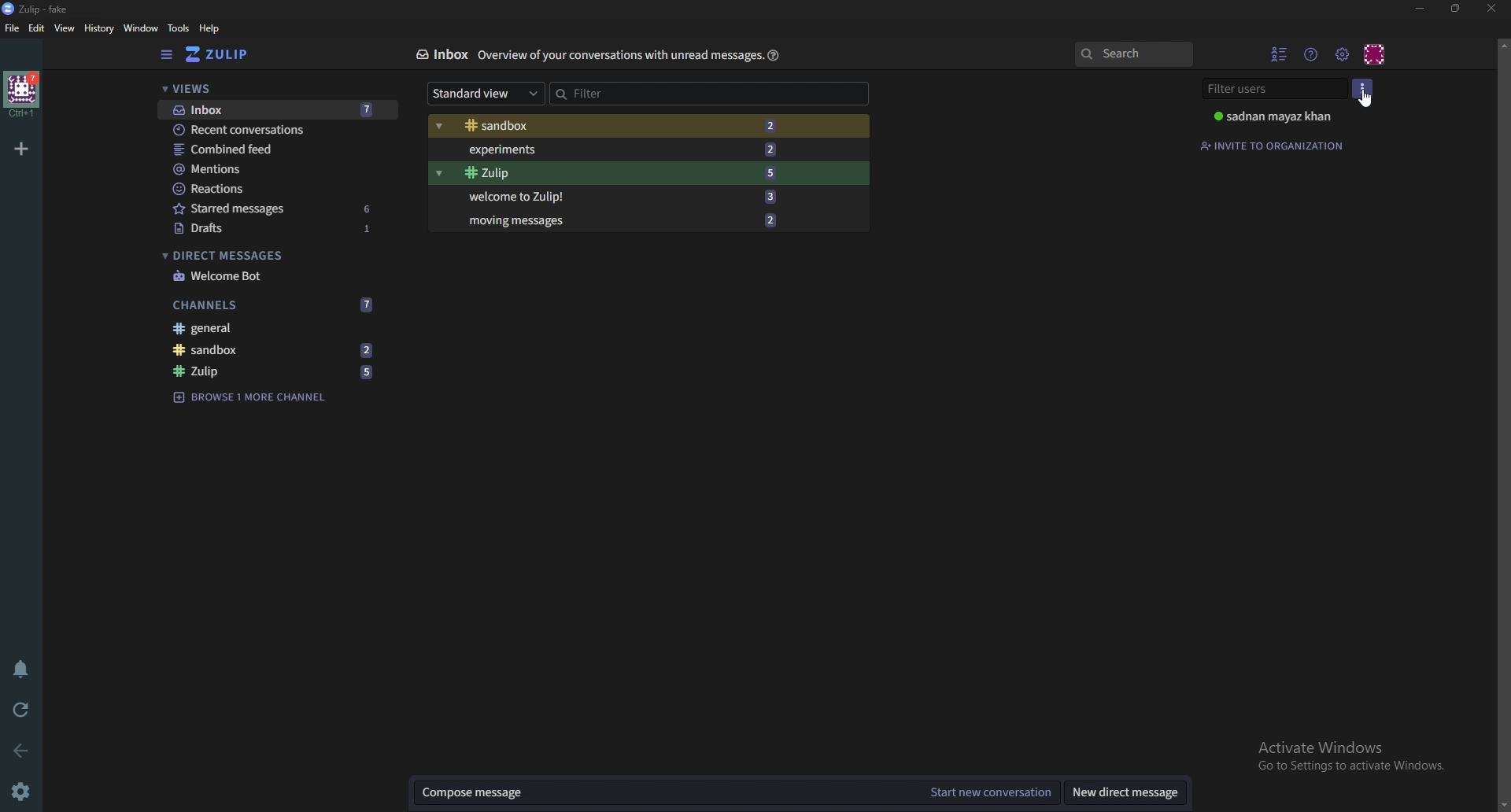 This screenshot has height=812, width=1511. Describe the element at coordinates (141, 28) in the screenshot. I see `Window` at that location.